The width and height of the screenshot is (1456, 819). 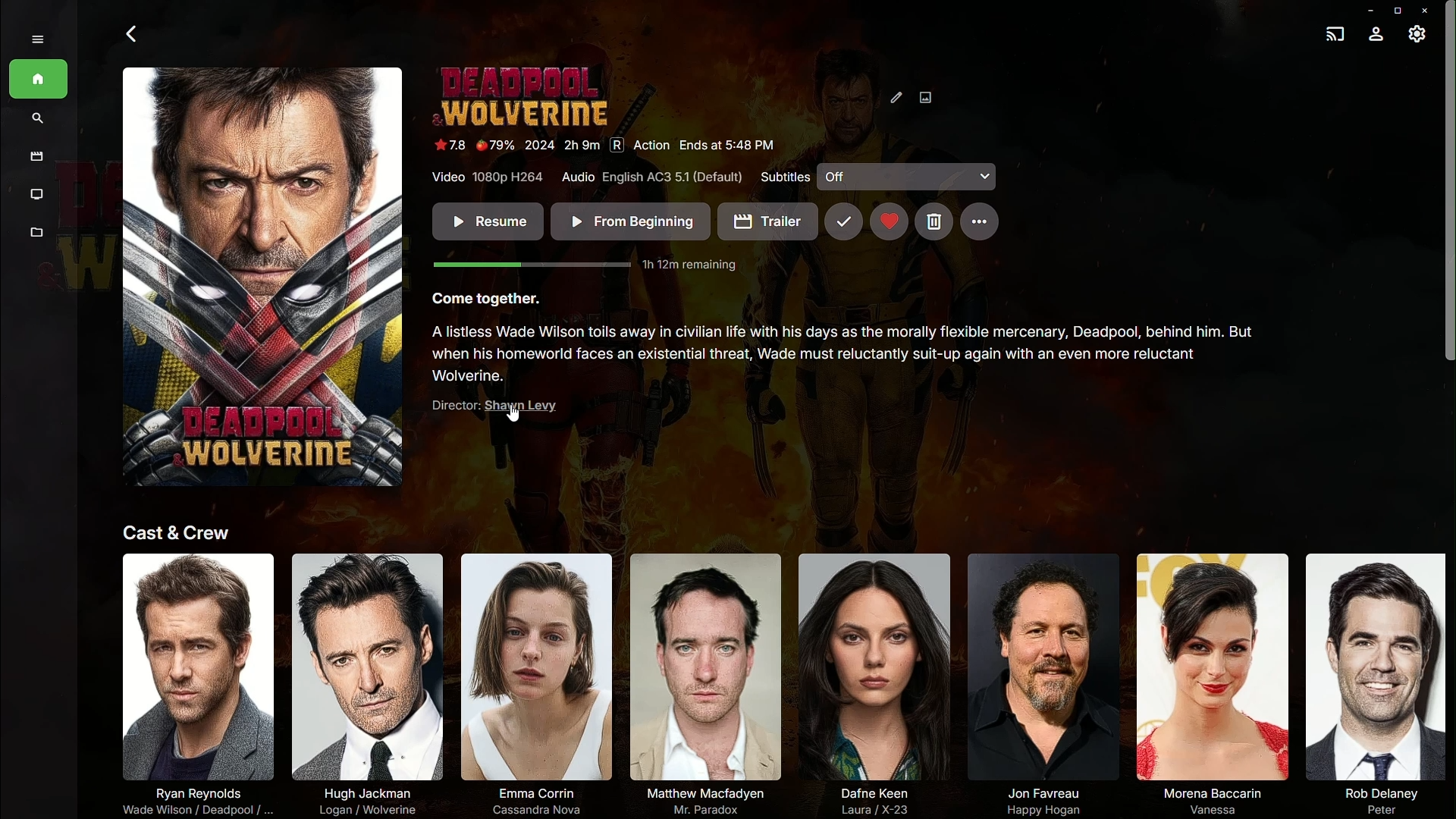 I want to click on Jon Favreau, so click(x=1034, y=682).